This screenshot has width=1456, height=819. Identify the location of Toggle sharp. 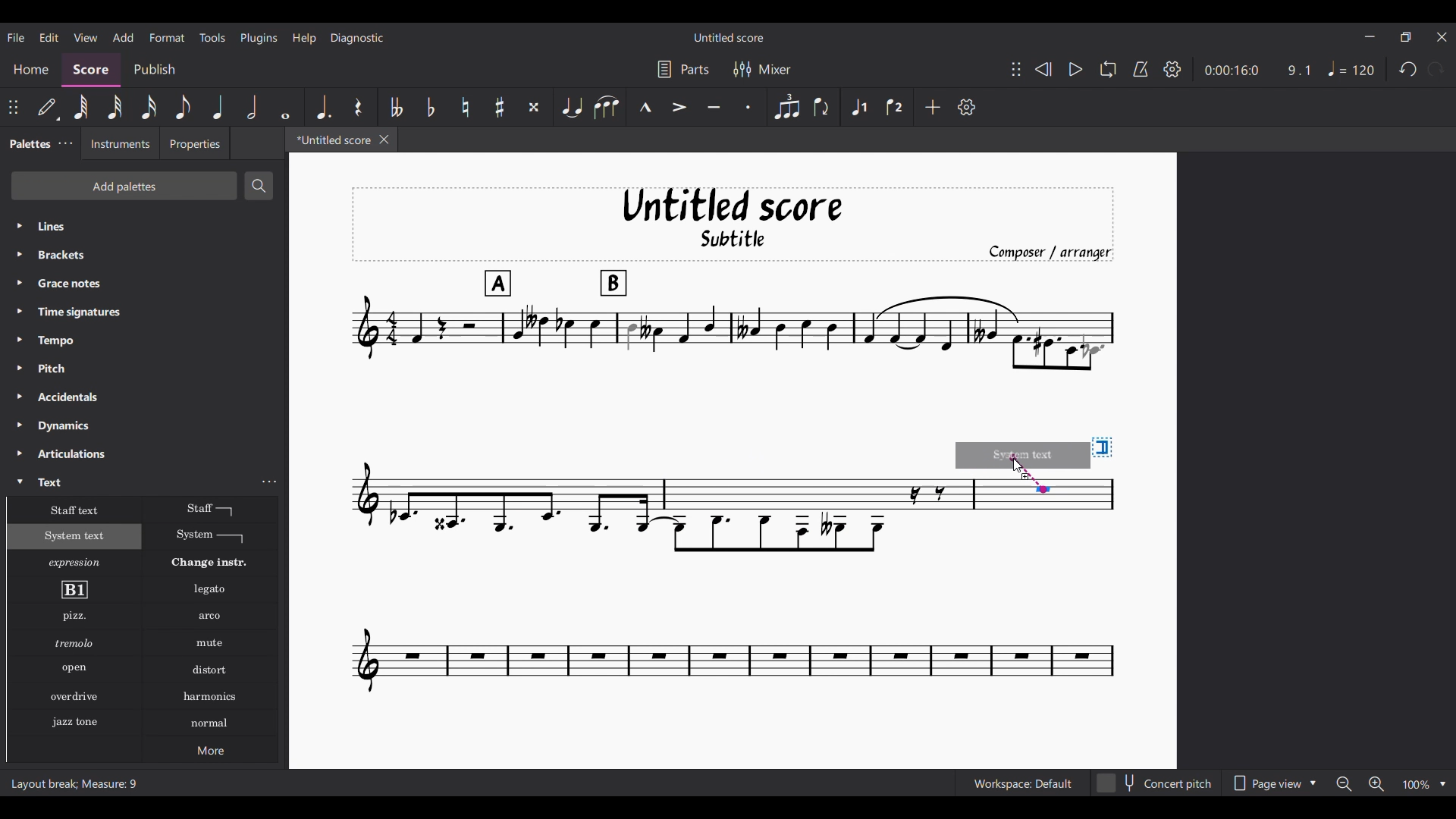
(499, 107).